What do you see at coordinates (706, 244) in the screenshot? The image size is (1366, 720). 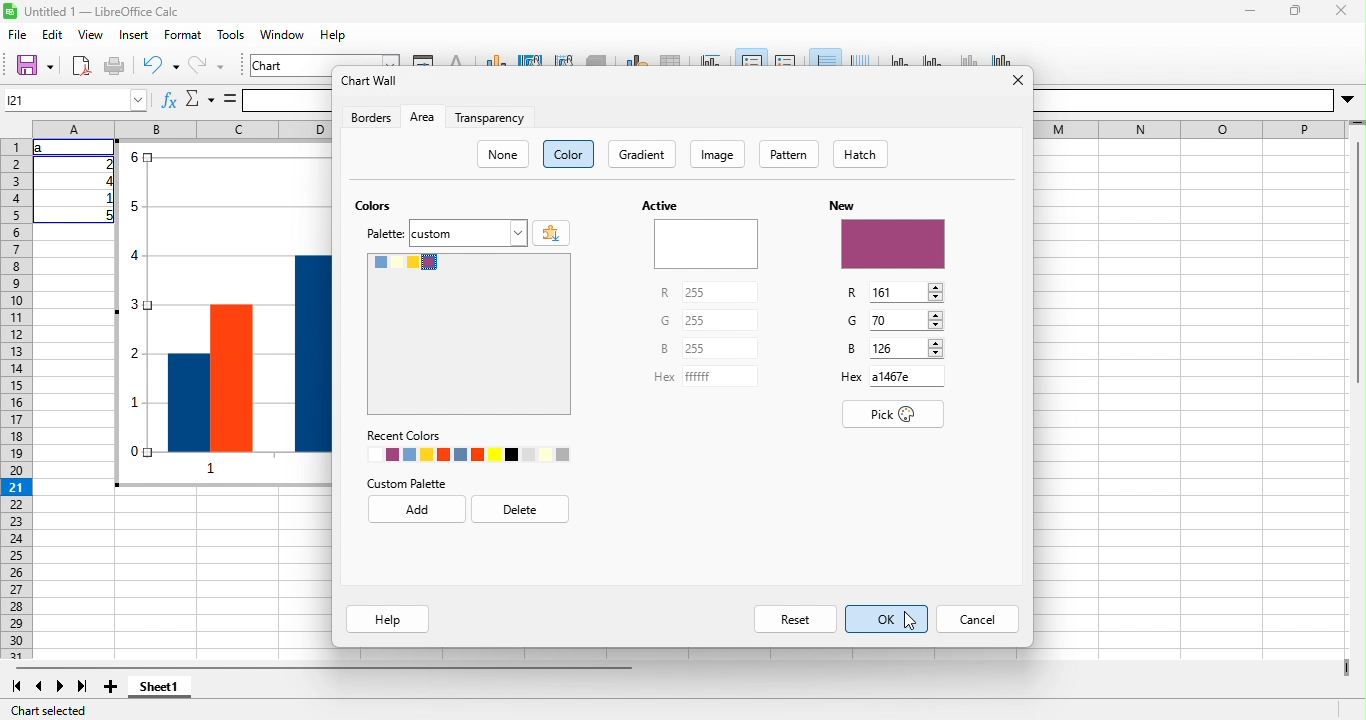 I see `Preview of active` at bounding box center [706, 244].